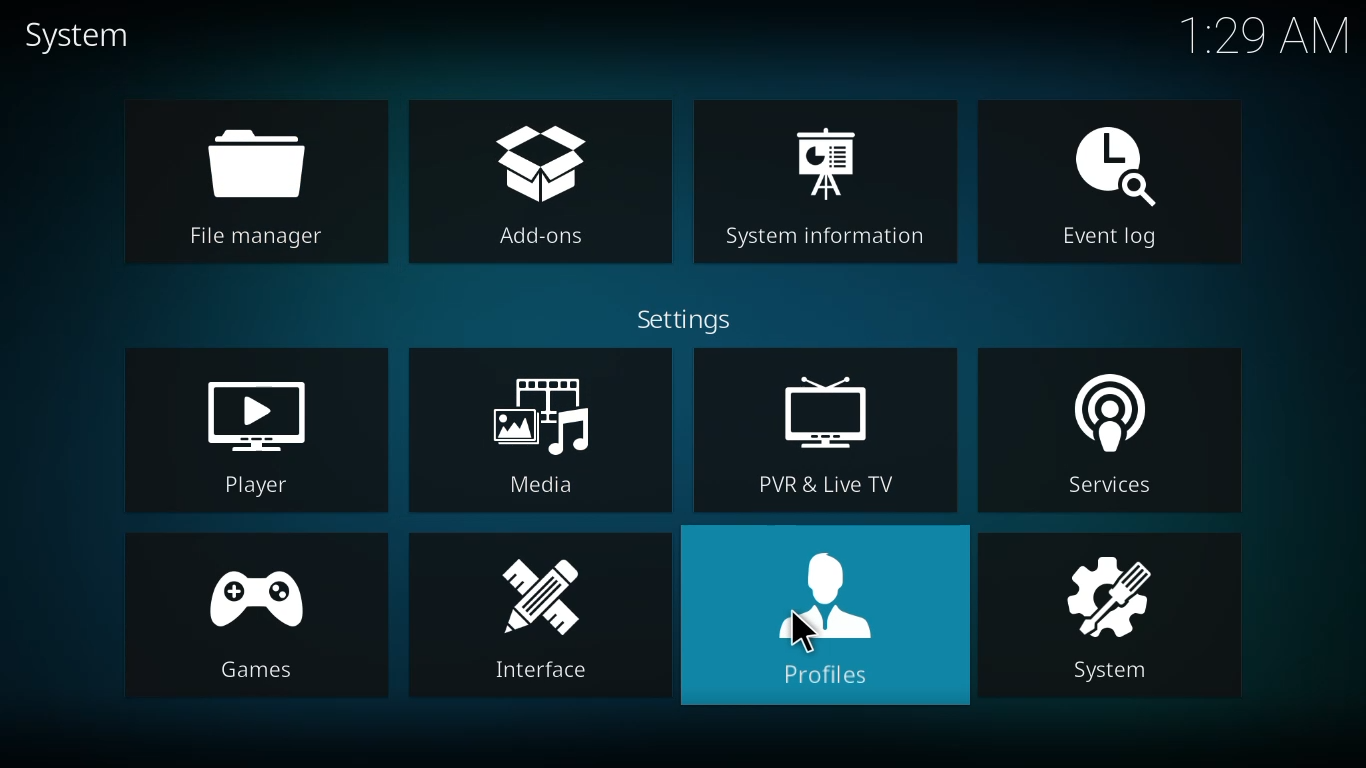 This screenshot has width=1366, height=768. I want to click on player, so click(262, 434).